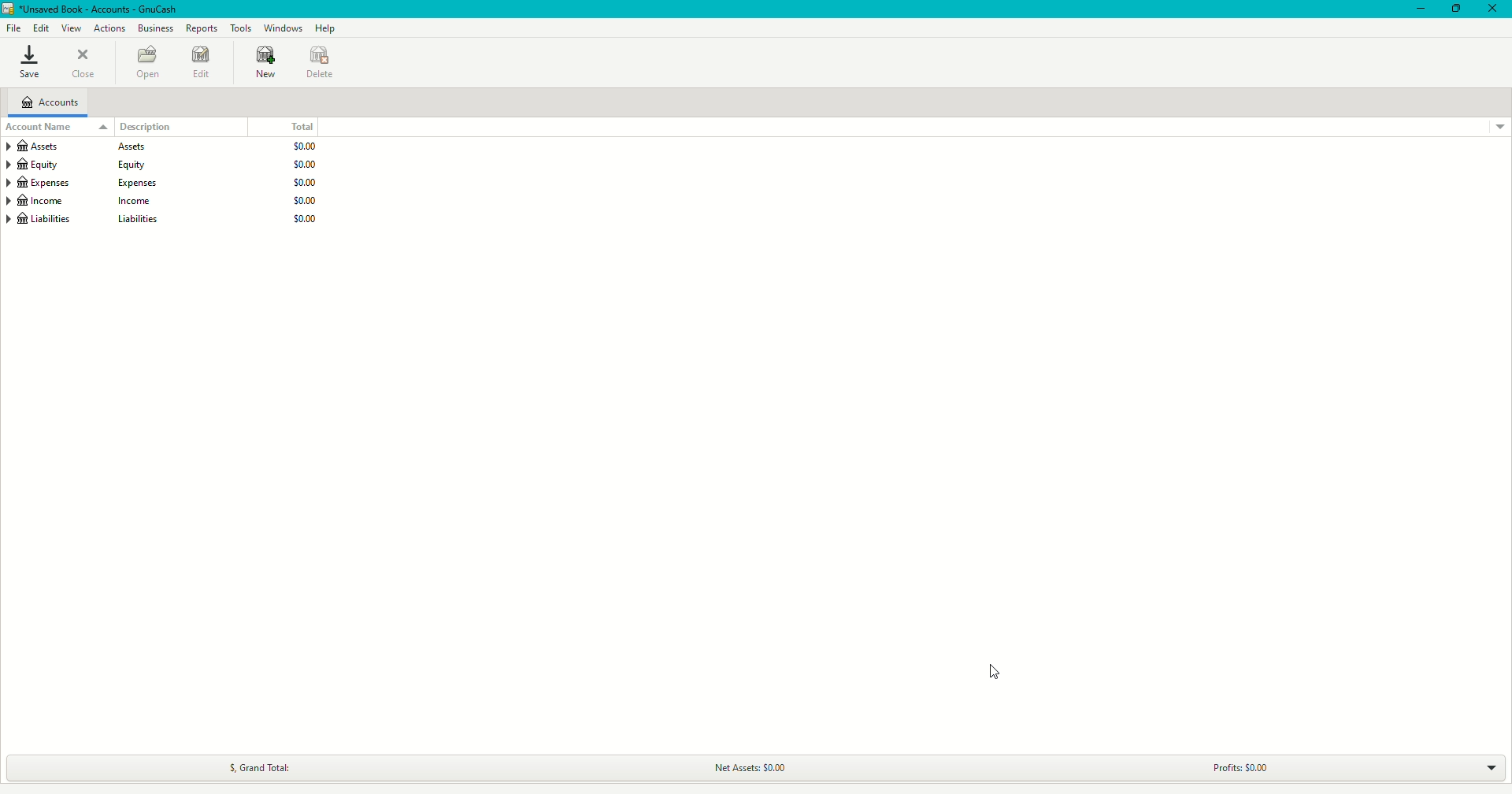 The height and width of the screenshot is (794, 1512). What do you see at coordinates (51, 103) in the screenshot?
I see `Accounts` at bounding box center [51, 103].